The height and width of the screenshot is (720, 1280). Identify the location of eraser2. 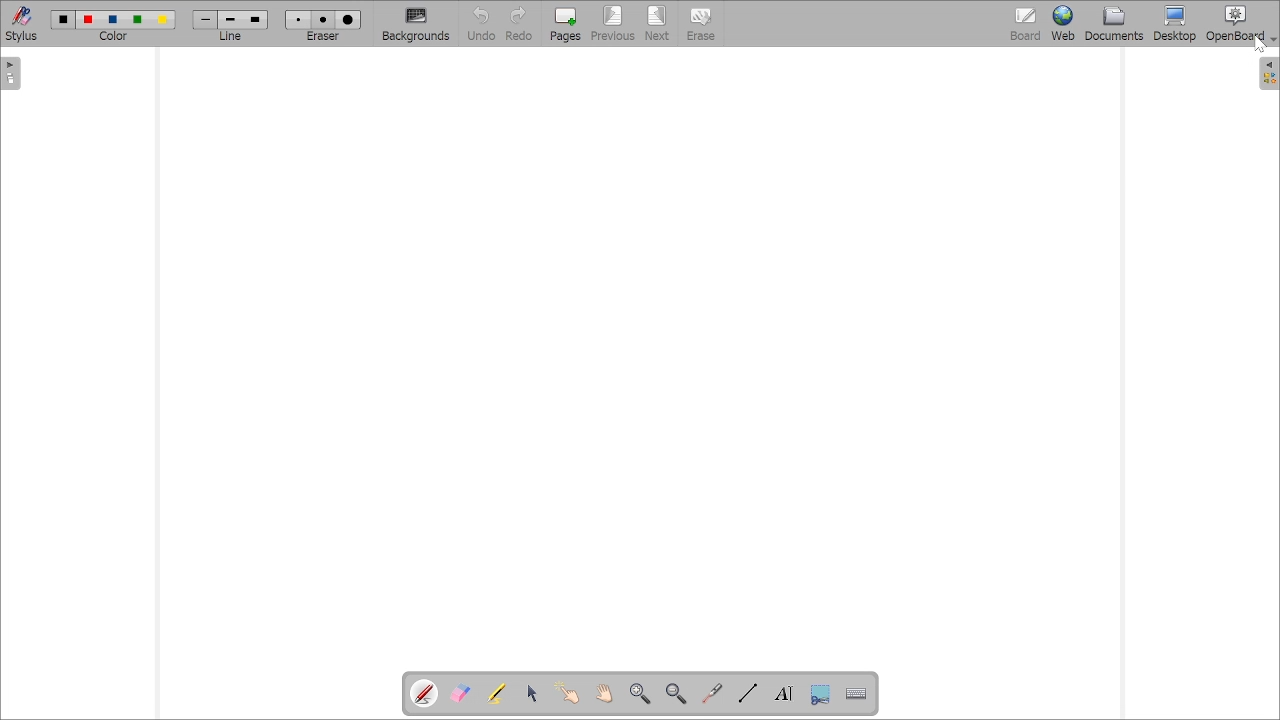
(325, 19).